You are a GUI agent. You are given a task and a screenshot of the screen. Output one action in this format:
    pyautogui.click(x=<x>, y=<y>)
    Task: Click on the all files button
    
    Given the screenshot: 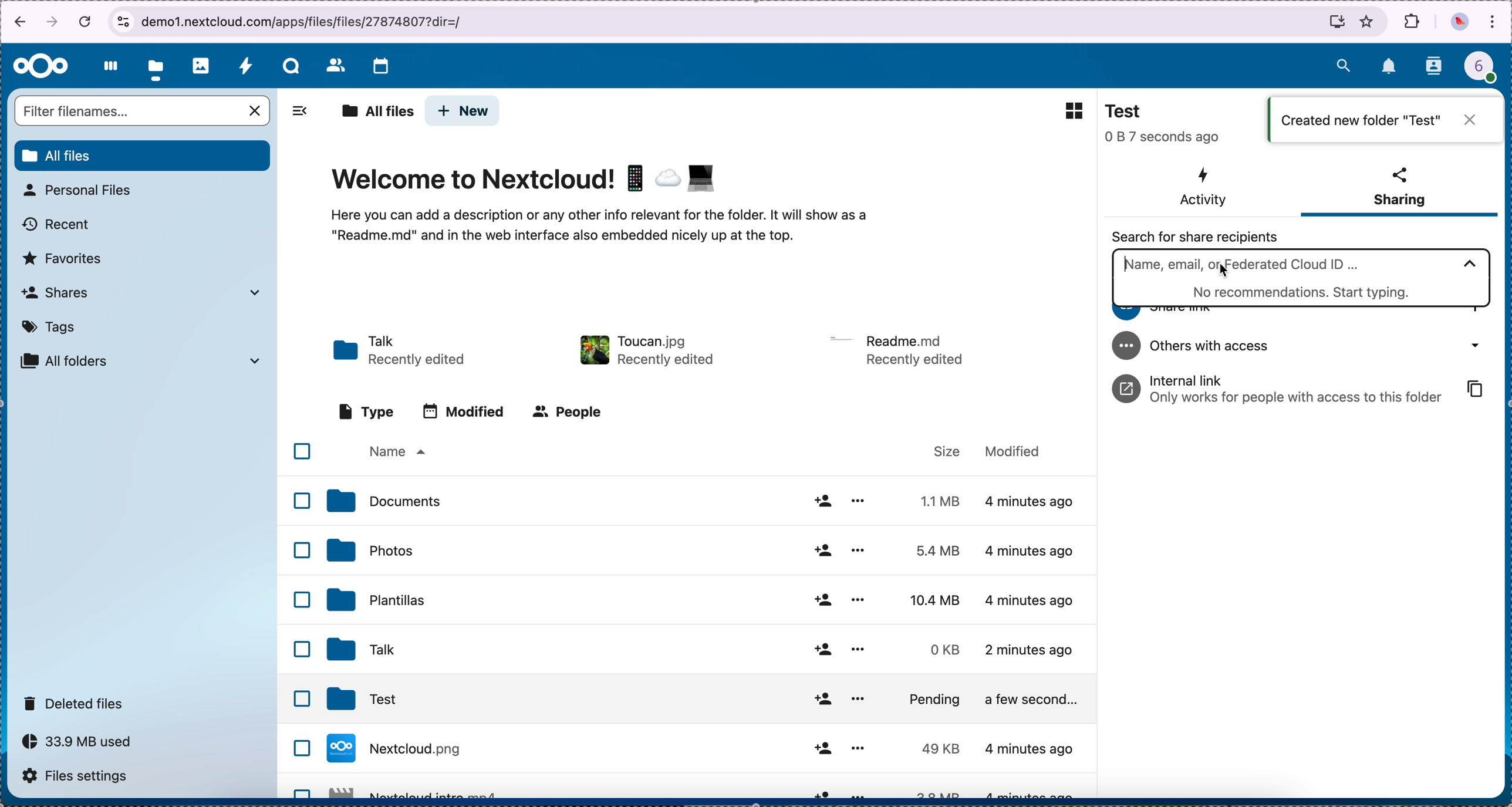 What is the action you would take?
    pyautogui.click(x=144, y=156)
    